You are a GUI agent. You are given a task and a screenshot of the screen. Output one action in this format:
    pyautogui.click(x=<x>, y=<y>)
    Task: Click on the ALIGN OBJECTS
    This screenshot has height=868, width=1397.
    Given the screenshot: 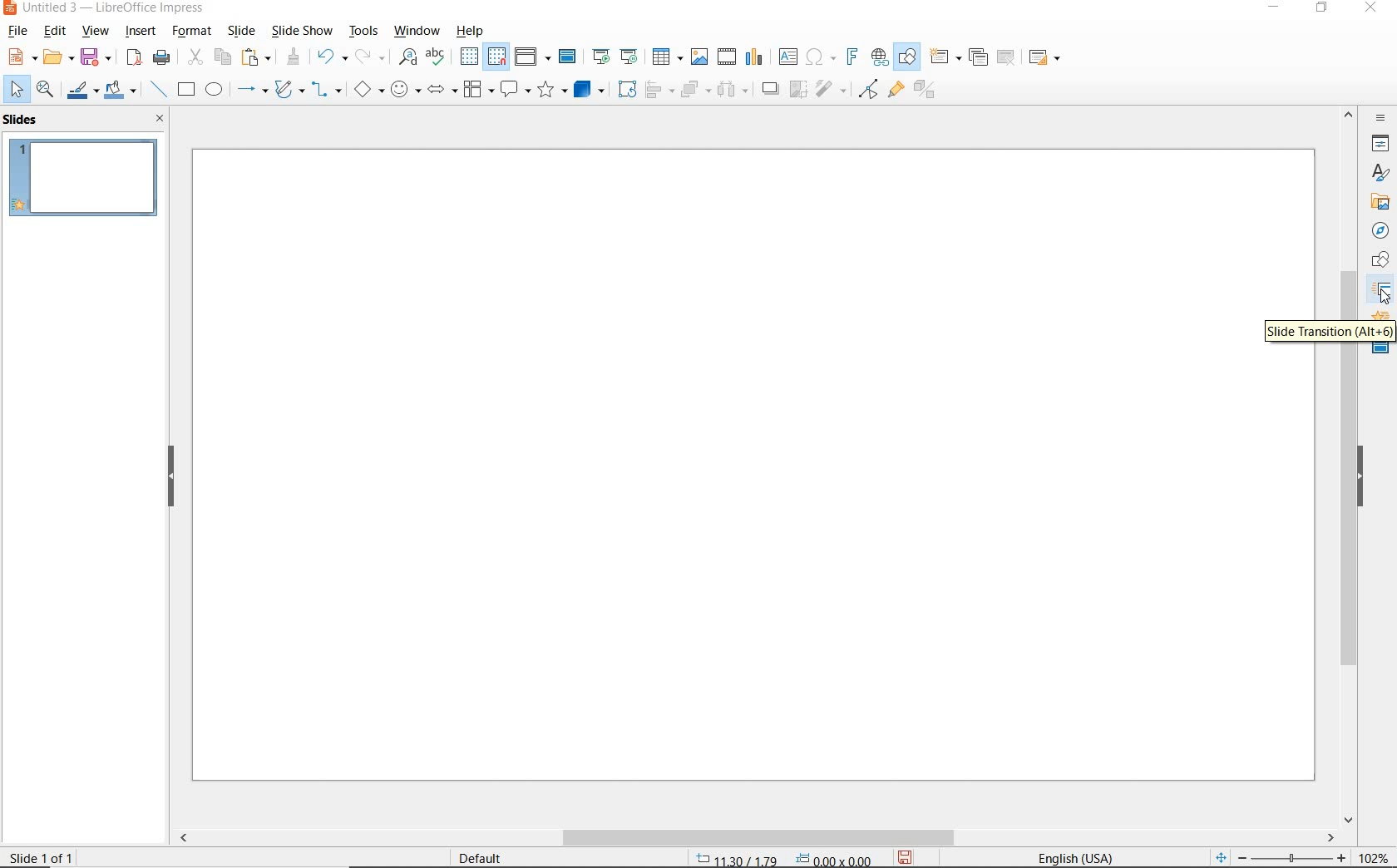 What is the action you would take?
    pyautogui.click(x=659, y=89)
    